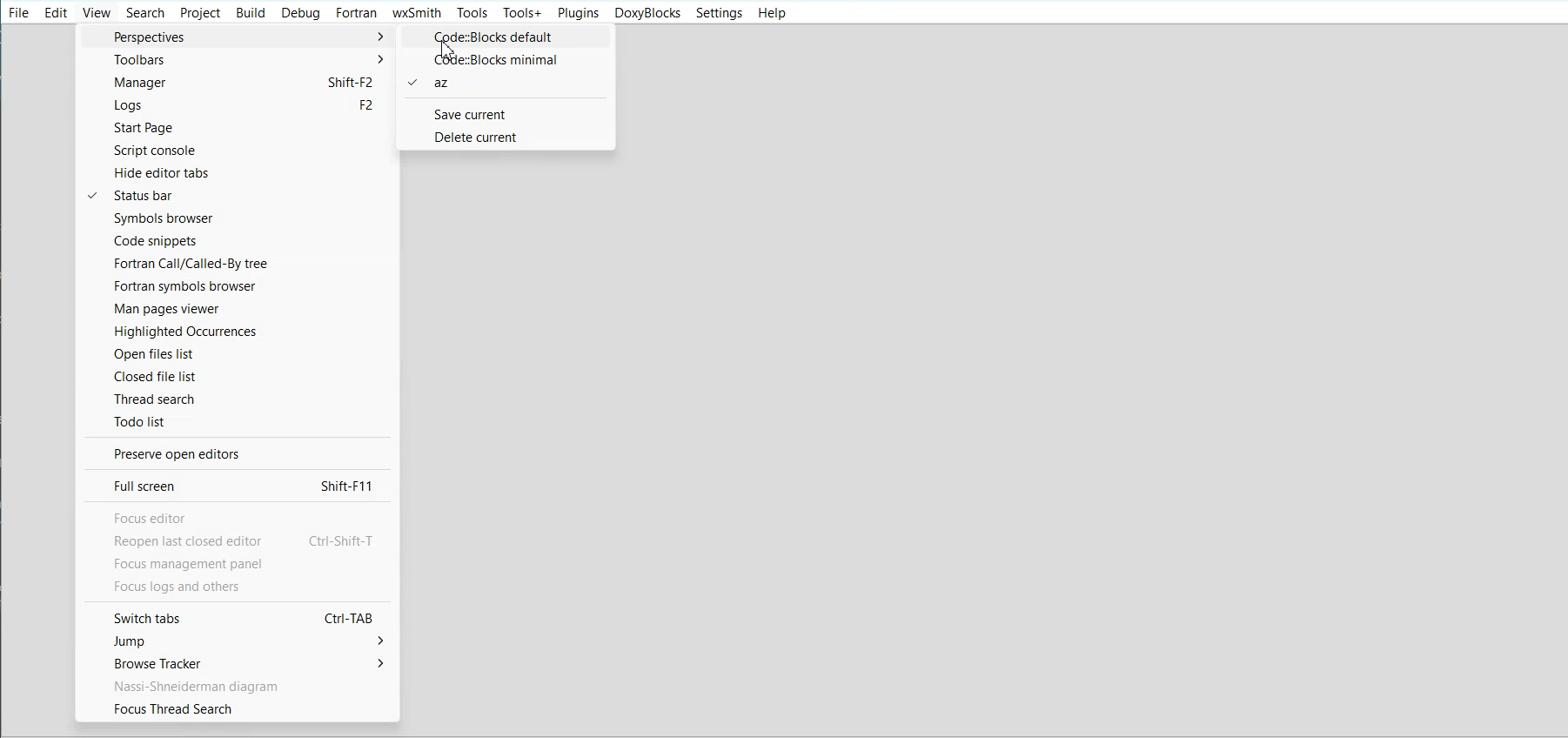 The width and height of the screenshot is (1568, 738). Describe the element at coordinates (192, 686) in the screenshot. I see `Text` at that location.